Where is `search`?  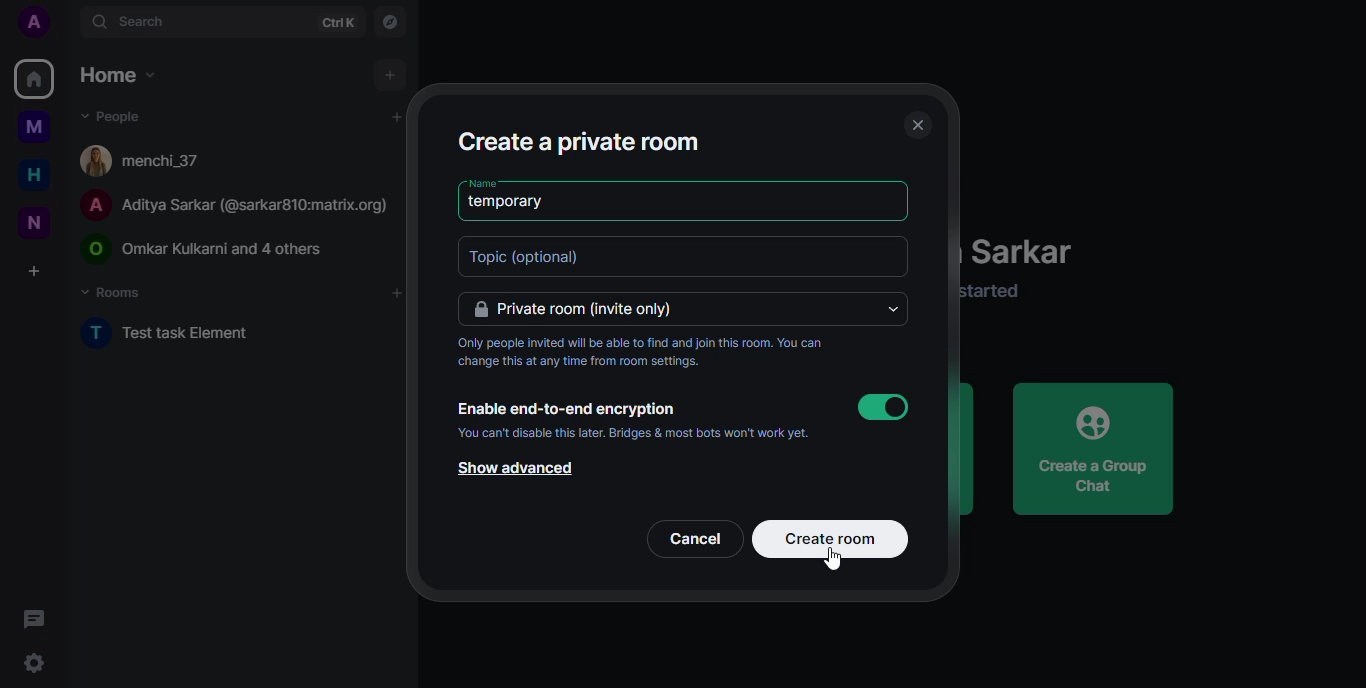 search is located at coordinates (133, 23).